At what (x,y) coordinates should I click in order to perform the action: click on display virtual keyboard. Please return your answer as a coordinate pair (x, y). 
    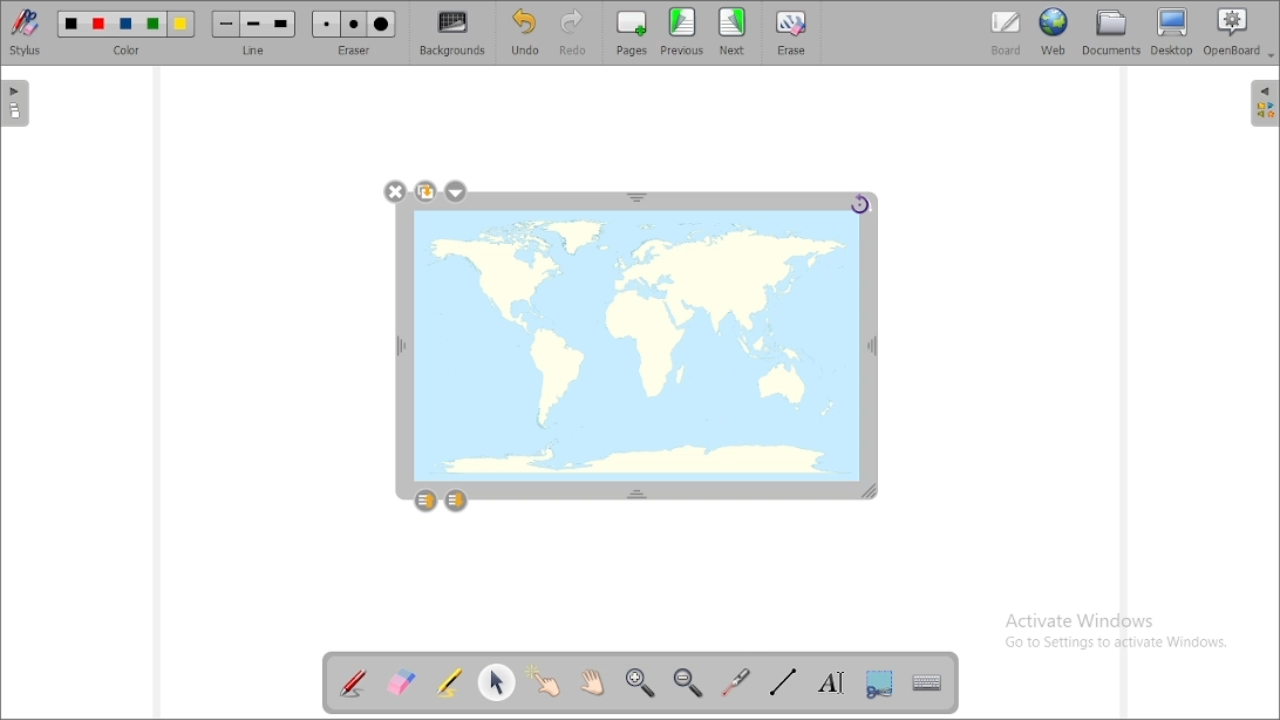
    Looking at the image, I should click on (926, 682).